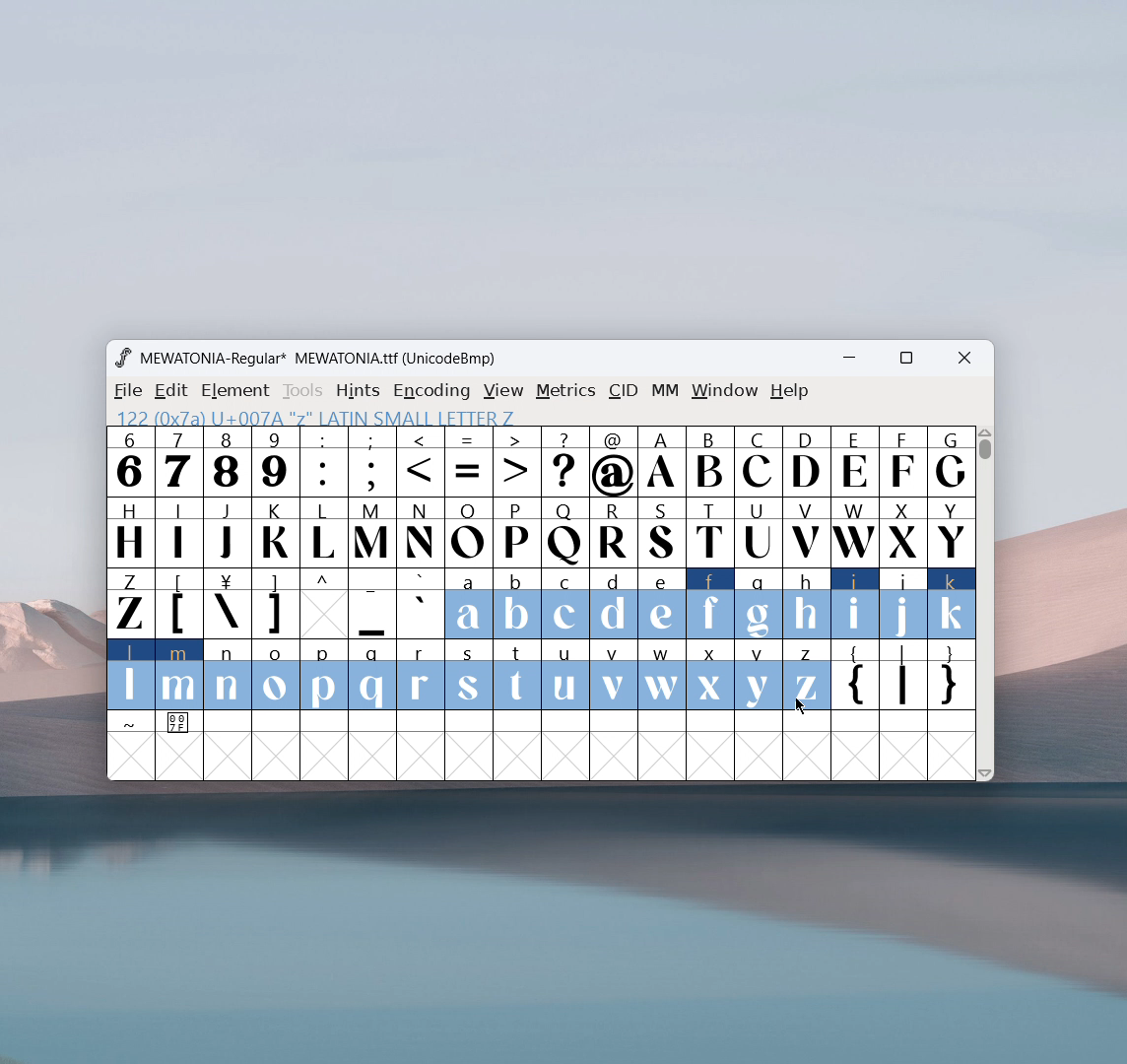  What do you see at coordinates (759, 602) in the screenshot?
I see `g` at bounding box center [759, 602].